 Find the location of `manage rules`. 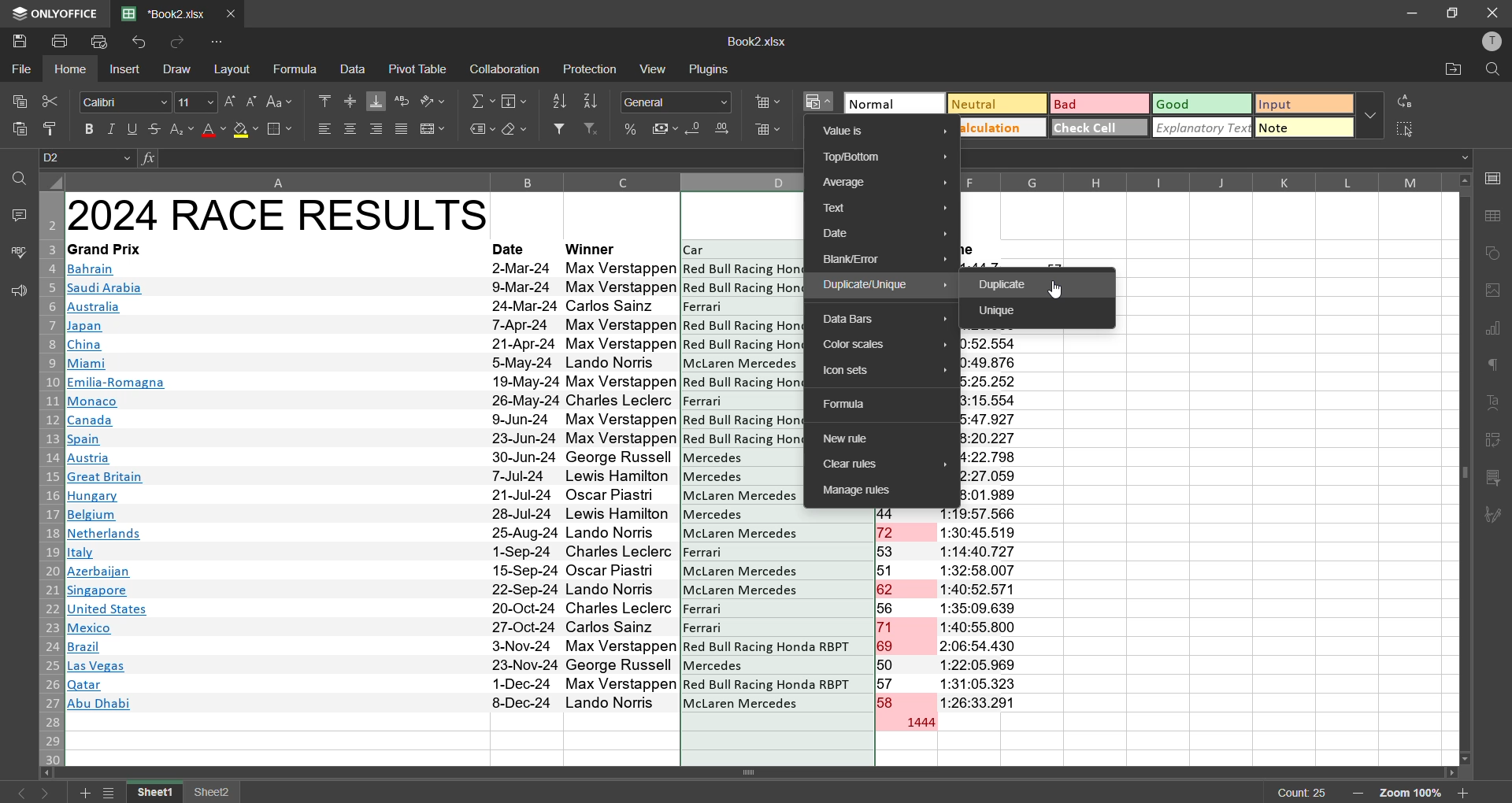

manage rules is located at coordinates (879, 492).